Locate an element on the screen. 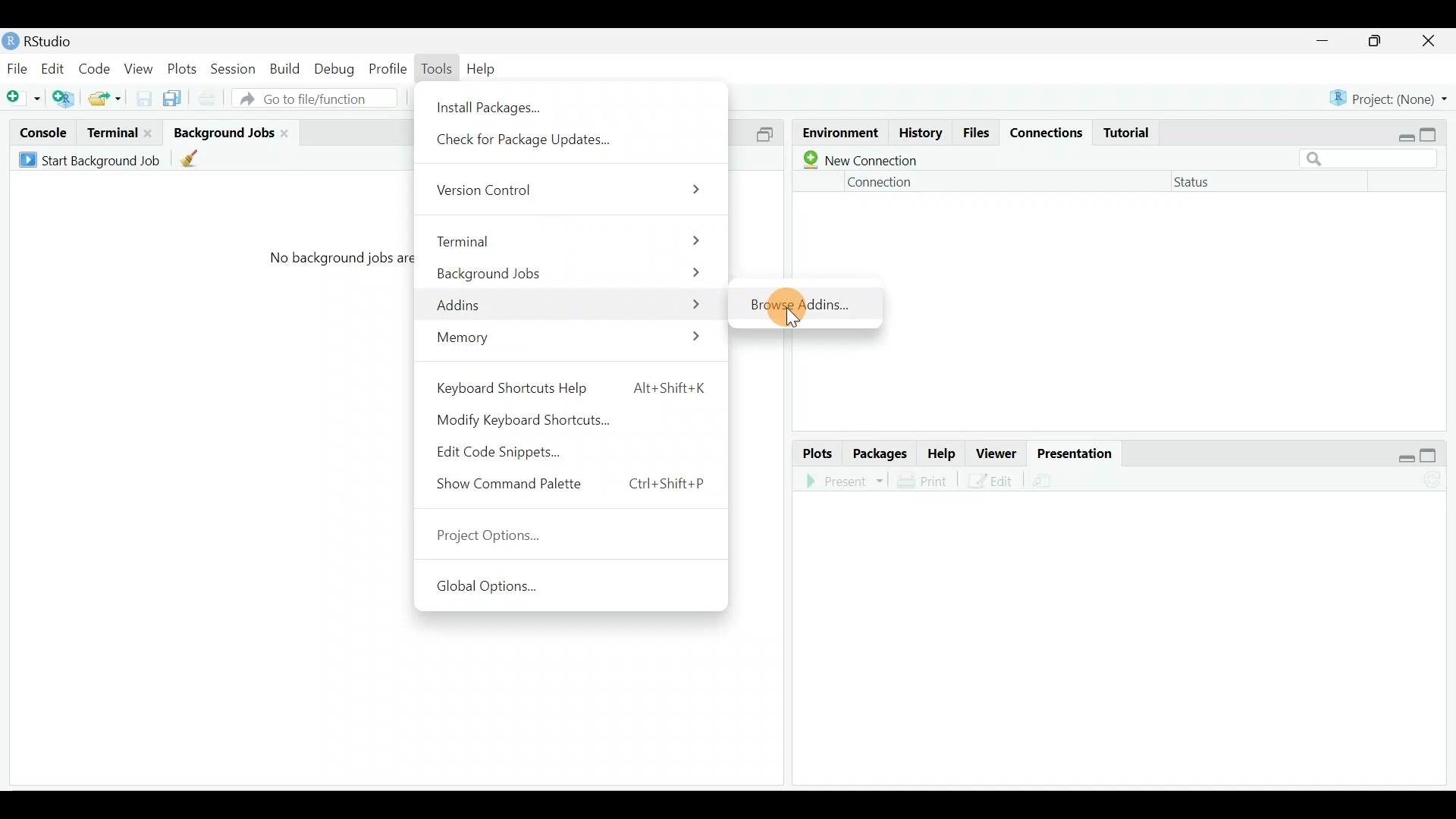 Image resolution: width=1456 pixels, height=819 pixels. Session is located at coordinates (237, 70).